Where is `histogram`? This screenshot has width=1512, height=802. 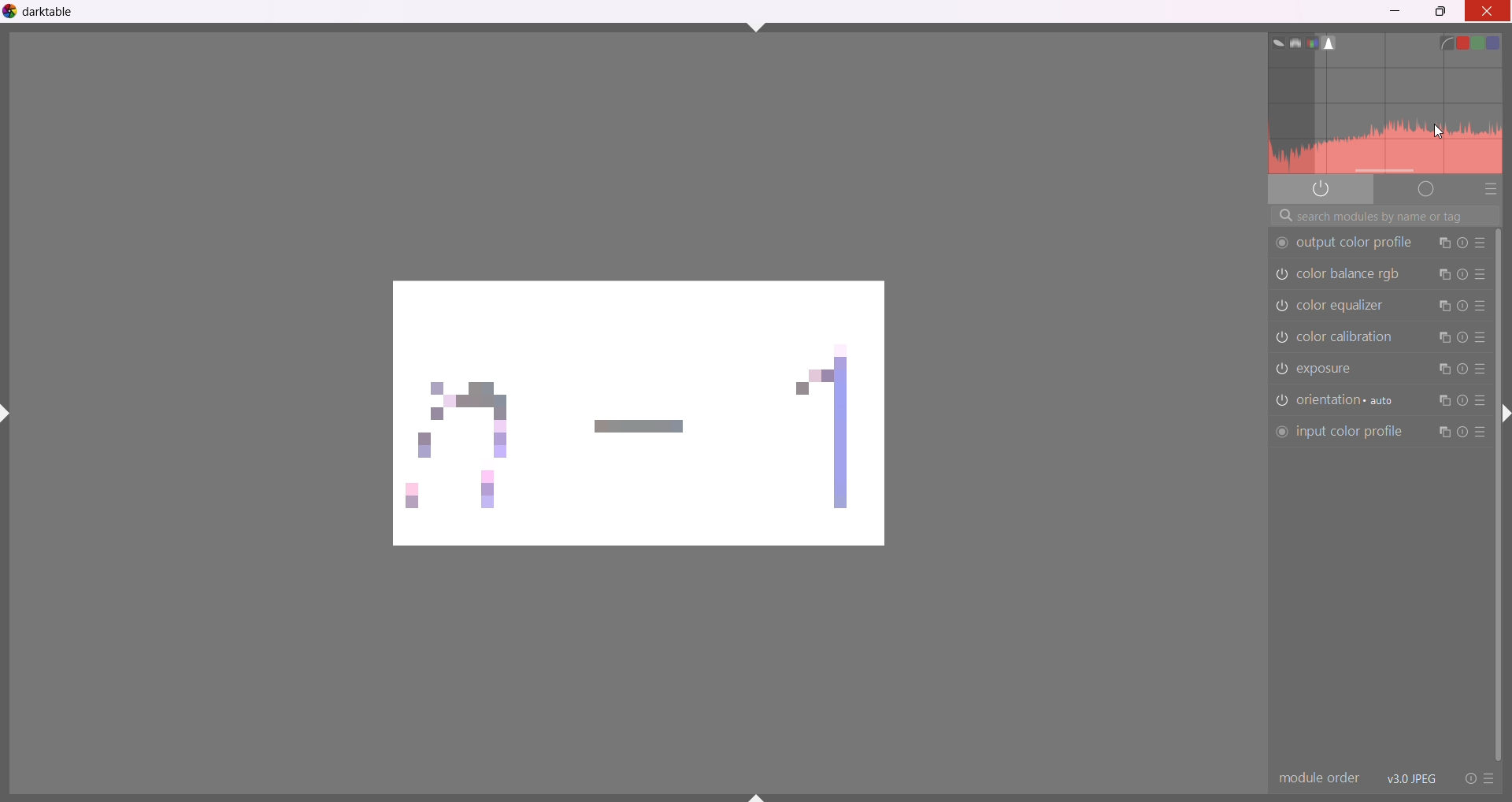 histogram is located at coordinates (1388, 119).